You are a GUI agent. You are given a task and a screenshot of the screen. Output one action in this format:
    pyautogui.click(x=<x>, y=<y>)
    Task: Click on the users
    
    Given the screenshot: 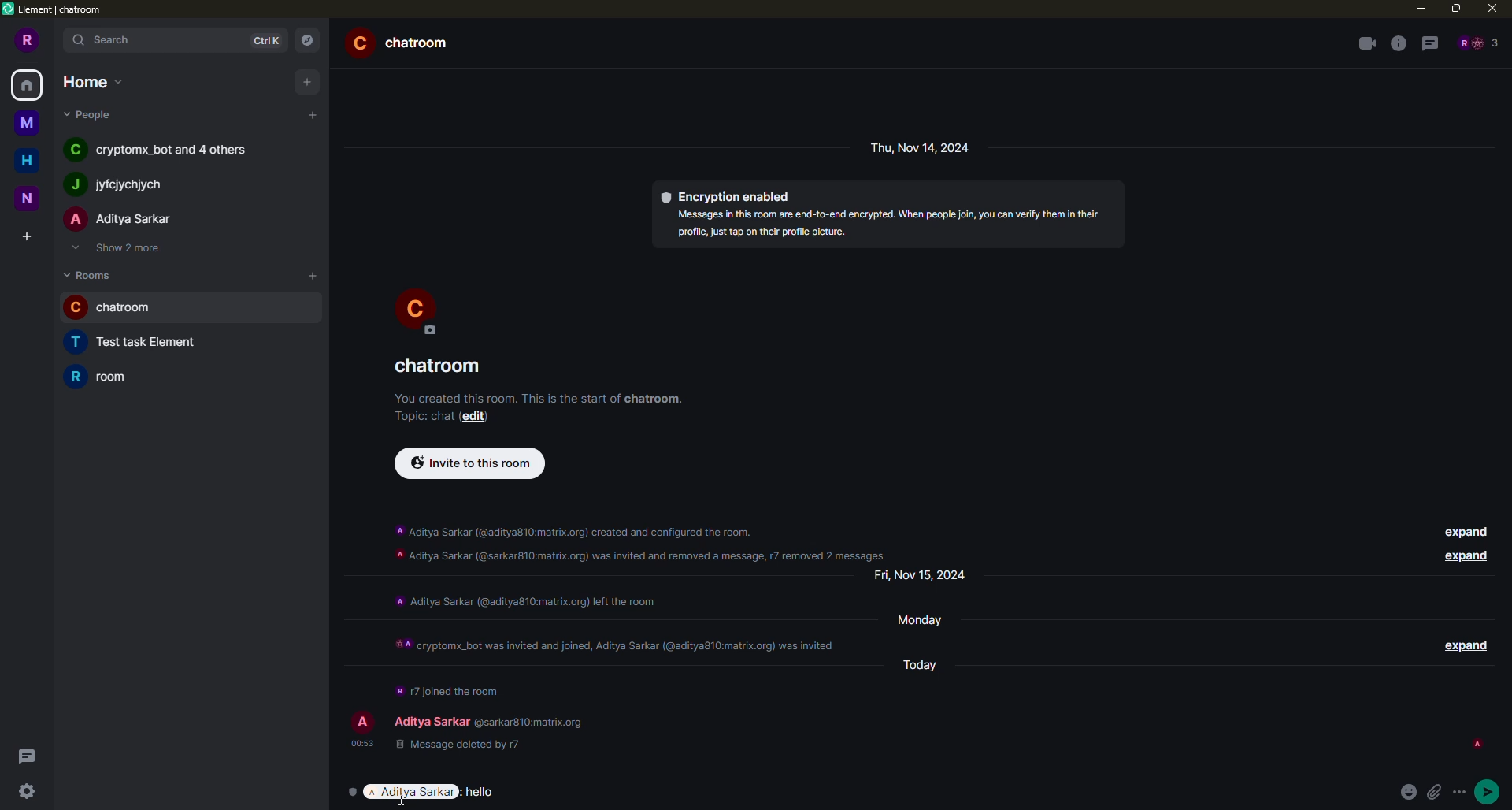 What is the action you would take?
    pyautogui.click(x=487, y=717)
    